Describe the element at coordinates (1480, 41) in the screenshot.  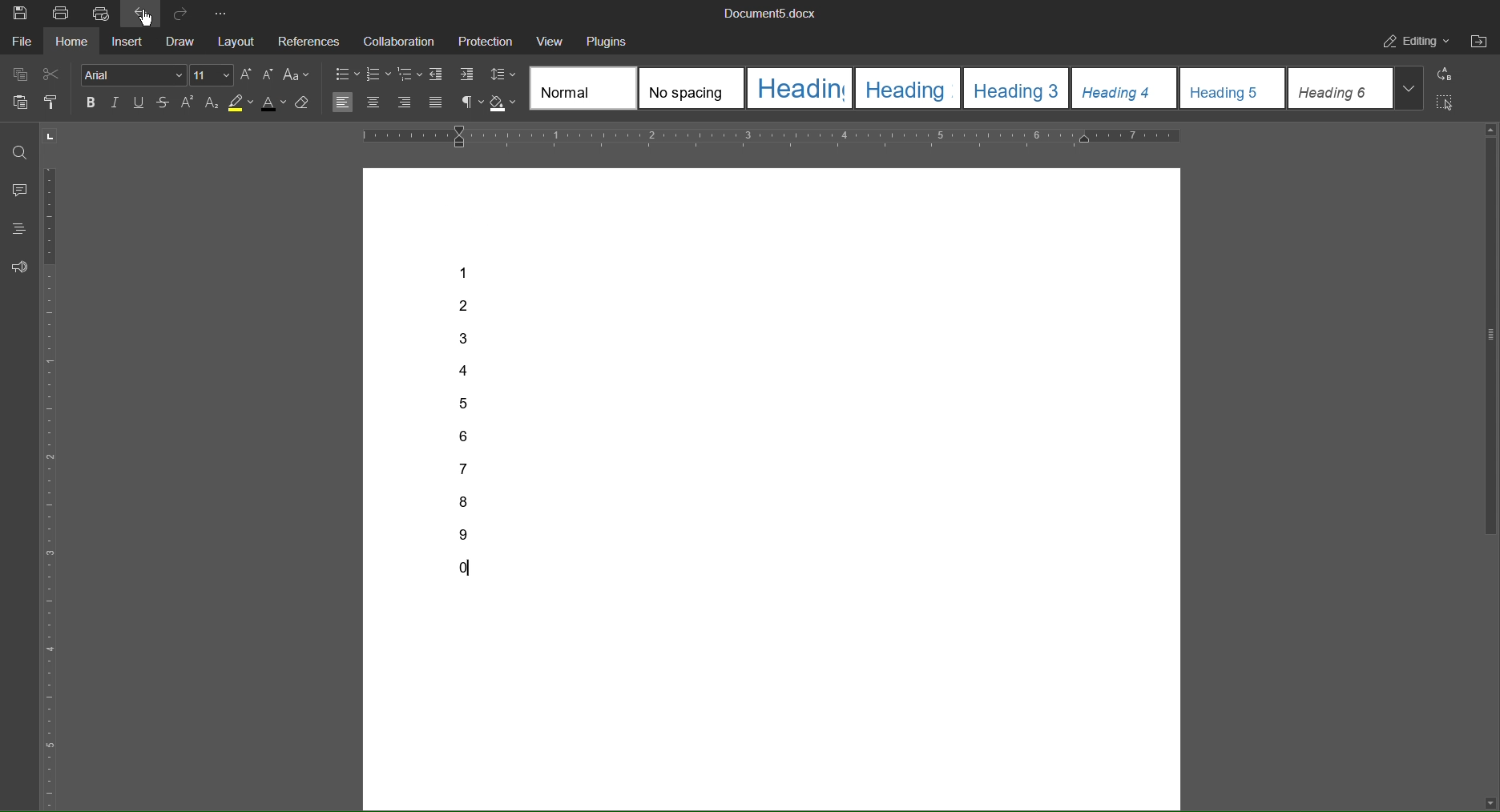
I see `Open File Location` at that location.